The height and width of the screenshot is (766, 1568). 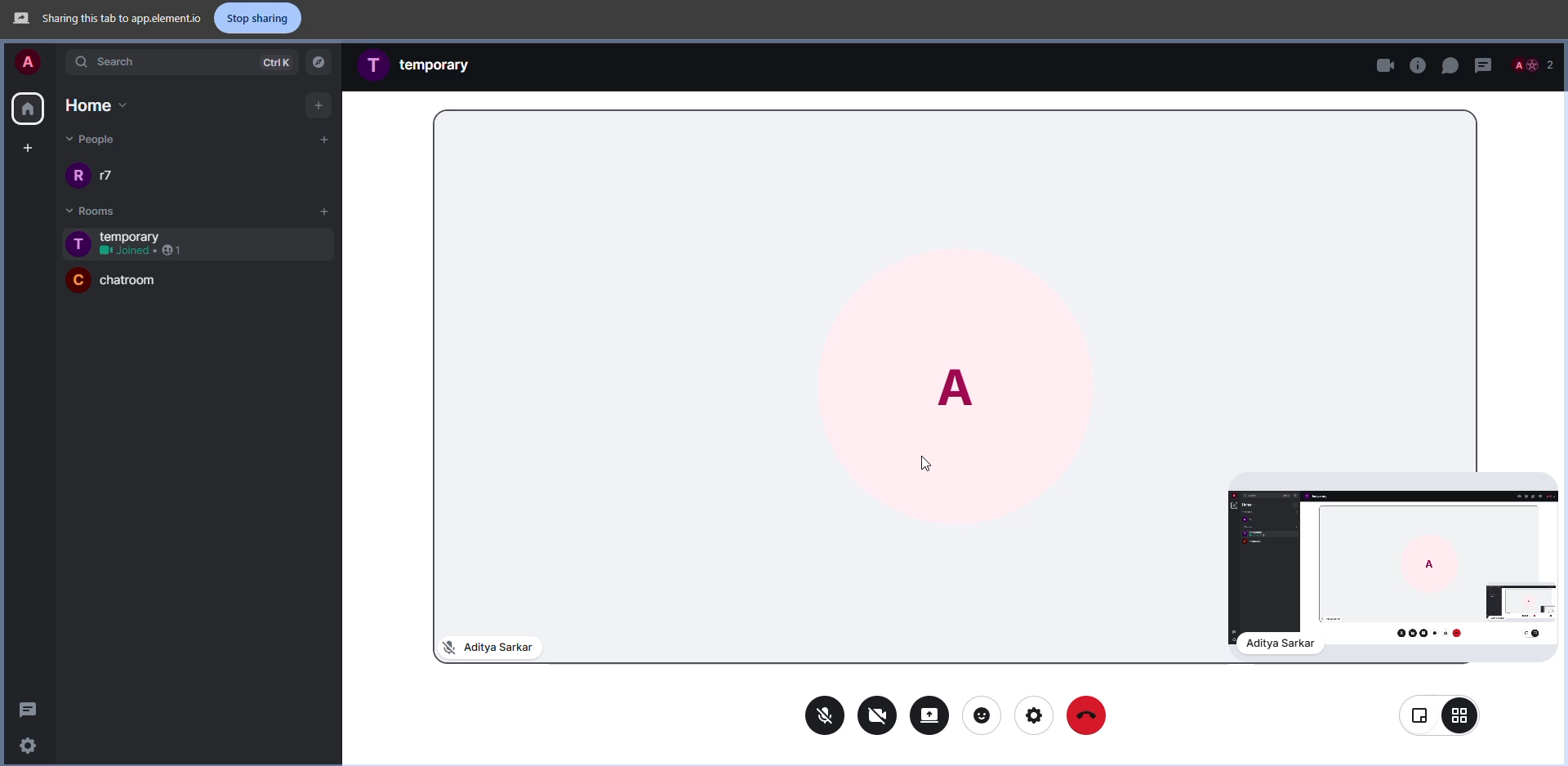 What do you see at coordinates (142, 251) in the screenshot?
I see `1 joined` at bounding box center [142, 251].